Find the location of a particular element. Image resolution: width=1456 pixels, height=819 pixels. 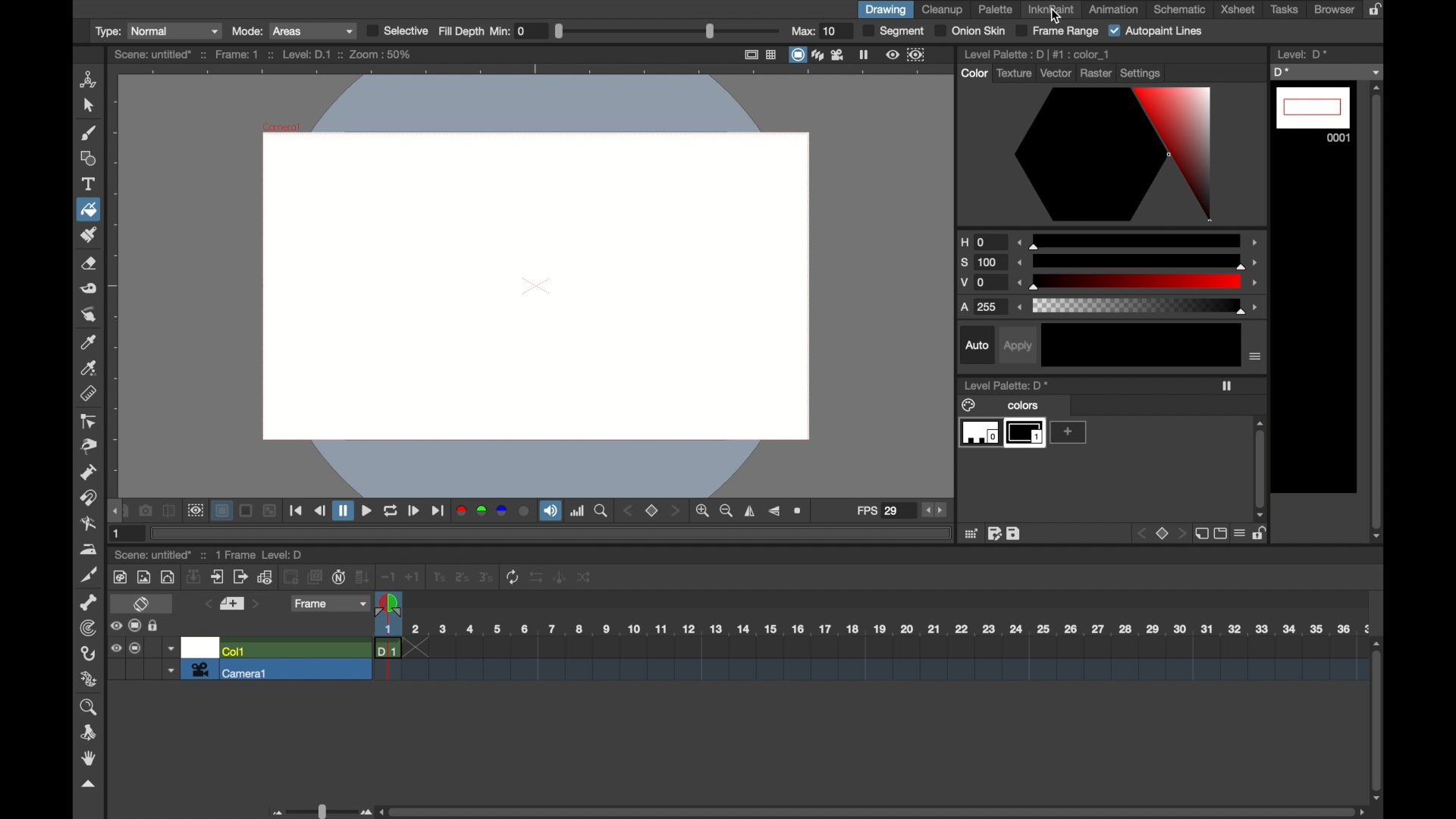

level: D* is located at coordinates (1302, 54).